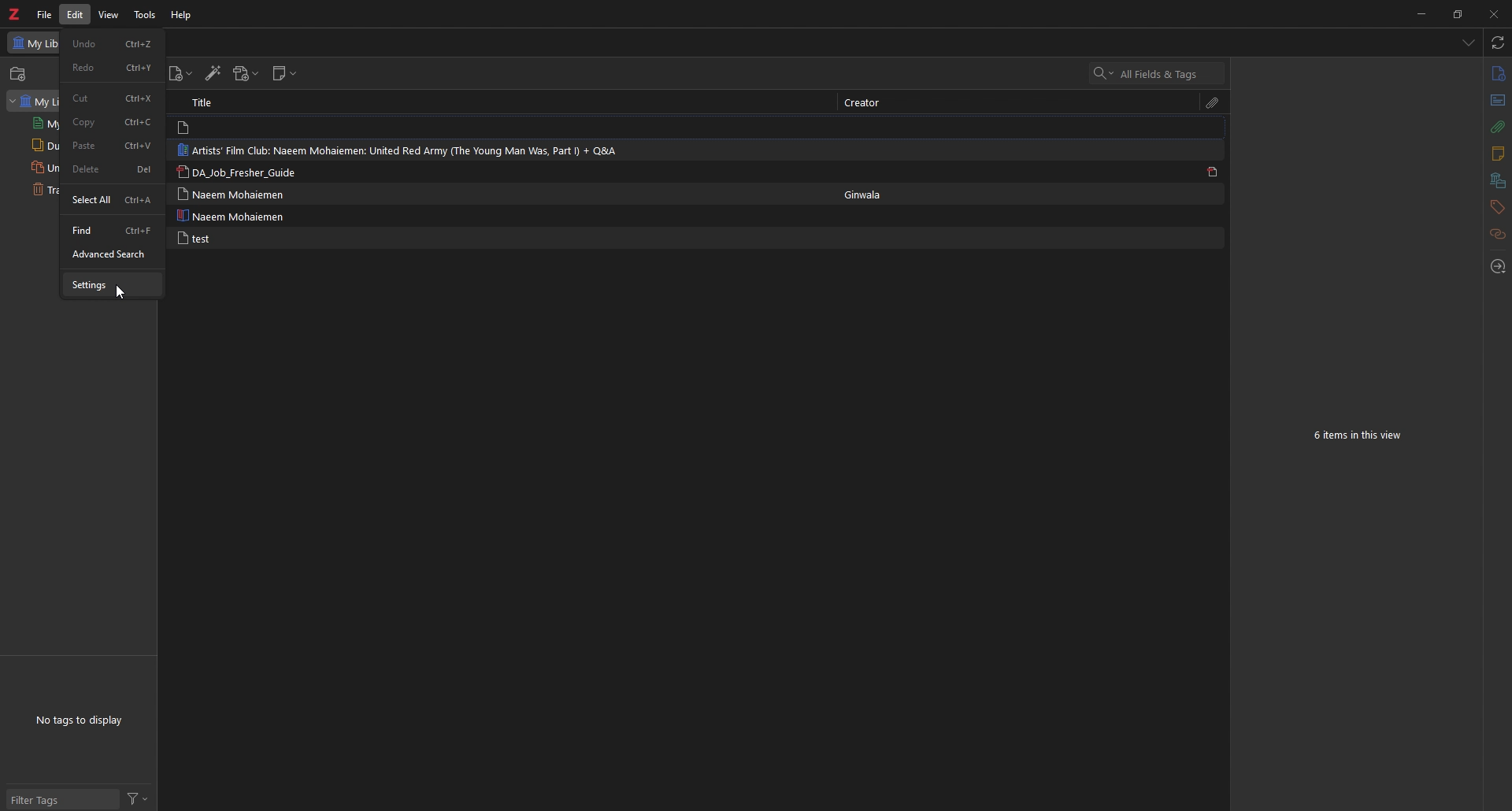 Image resolution: width=1512 pixels, height=811 pixels. Describe the element at coordinates (183, 15) in the screenshot. I see `help` at that location.